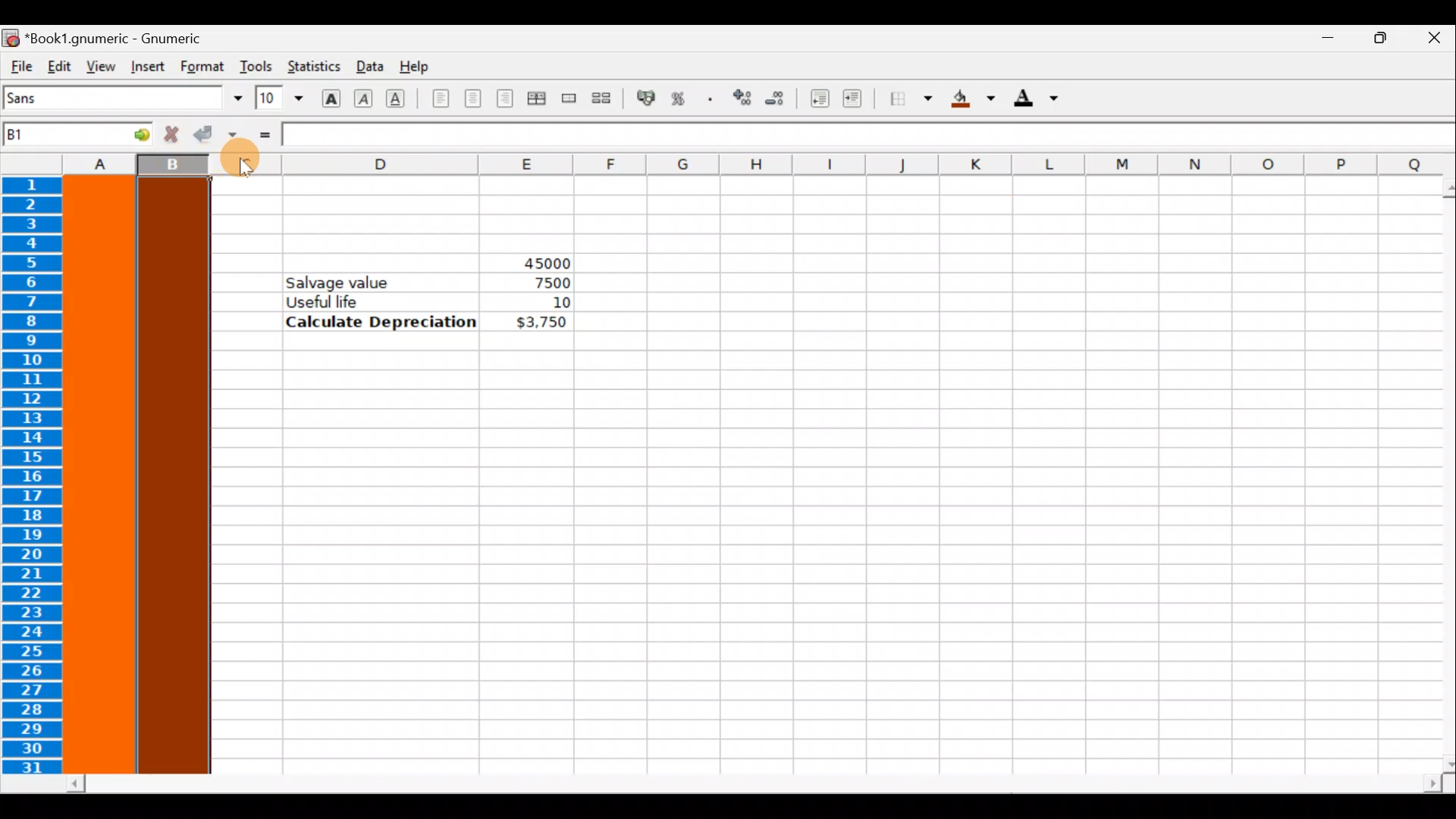 The height and width of the screenshot is (819, 1456). I want to click on Format the selection as percentage, so click(681, 101).